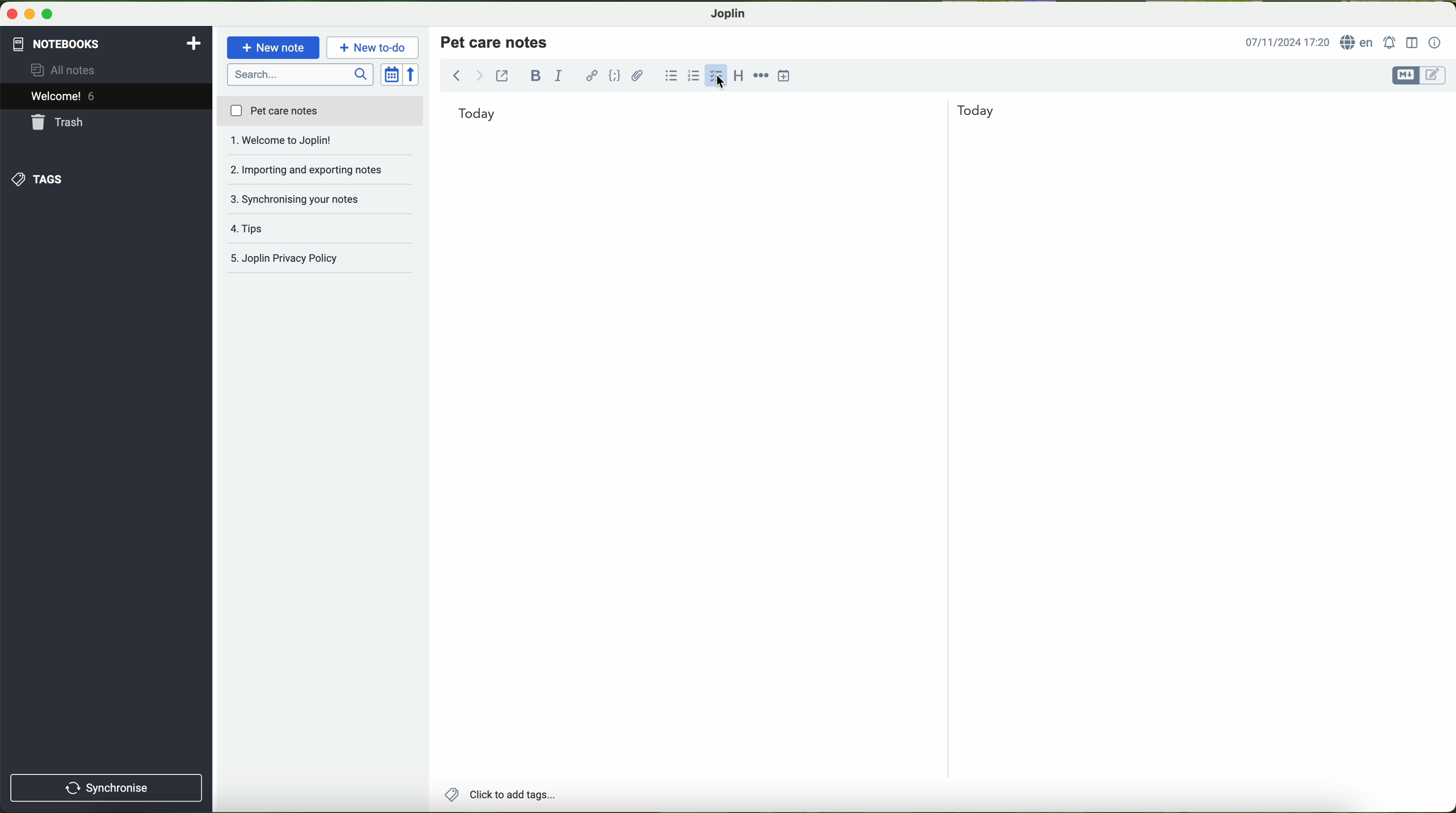 This screenshot has height=813, width=1456. What do you see at coordinates (319, 112) in the screenshot?
I see `pet care notes file` at bounding box center [319, 112].